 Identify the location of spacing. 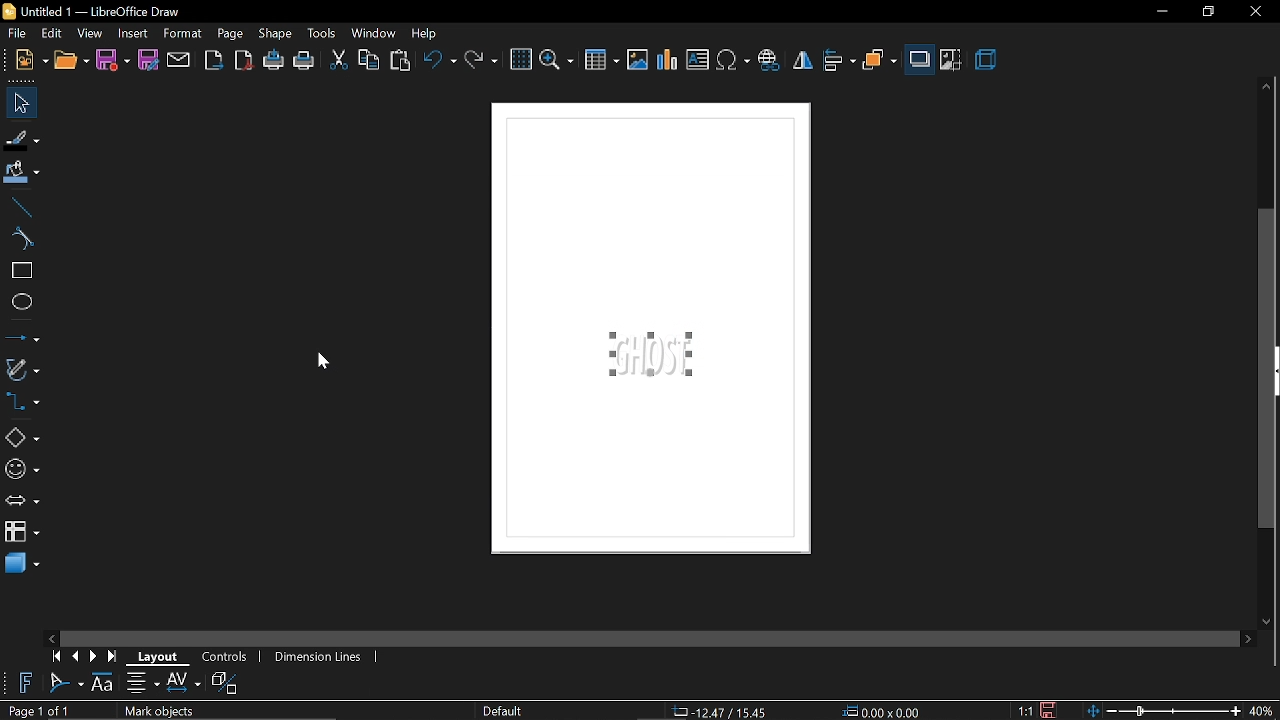
(183, 683).